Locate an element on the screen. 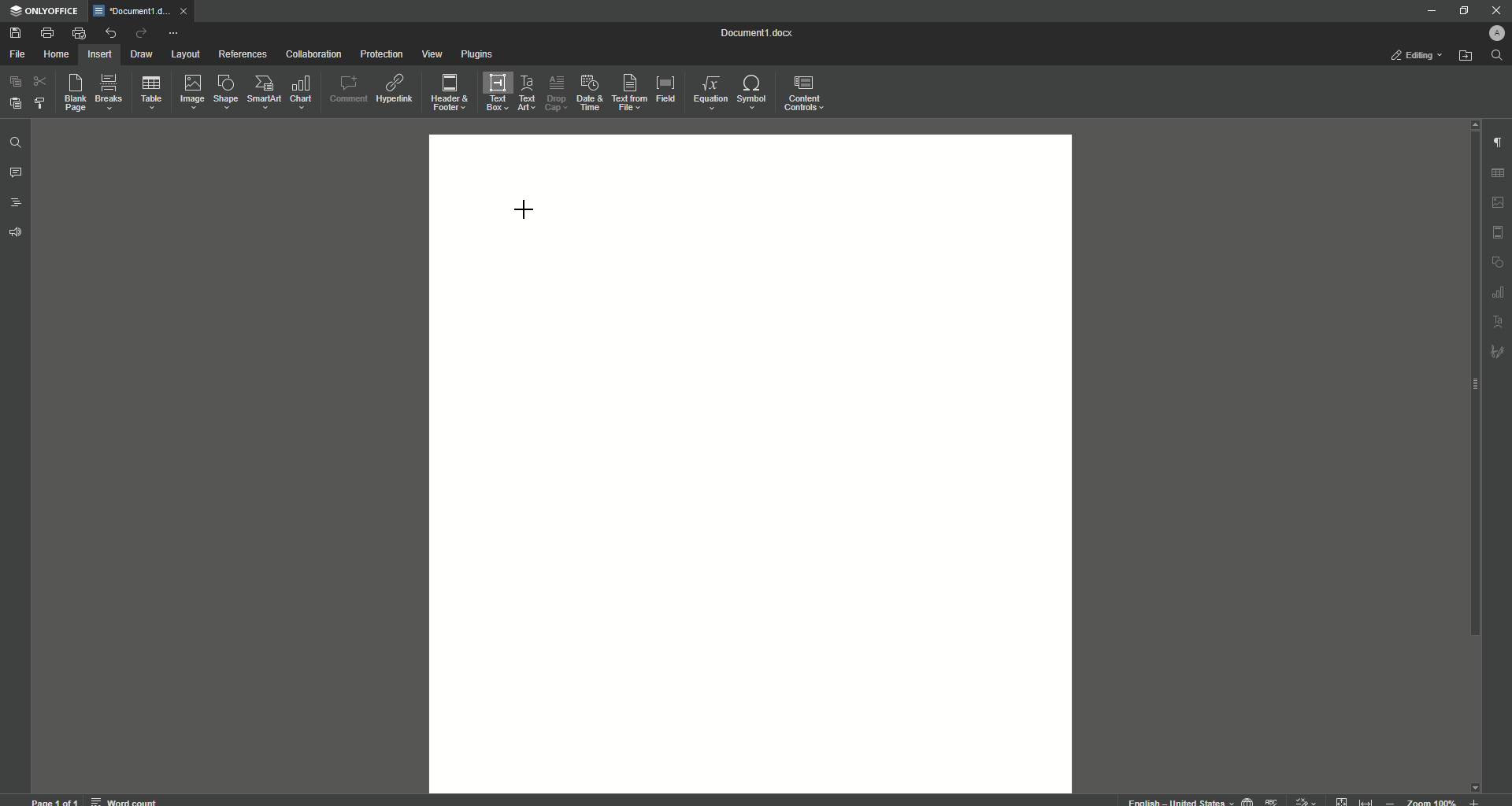 The width and height of the screenshot is (1512, 806). Date and Time is located at coordinates (589, 93).